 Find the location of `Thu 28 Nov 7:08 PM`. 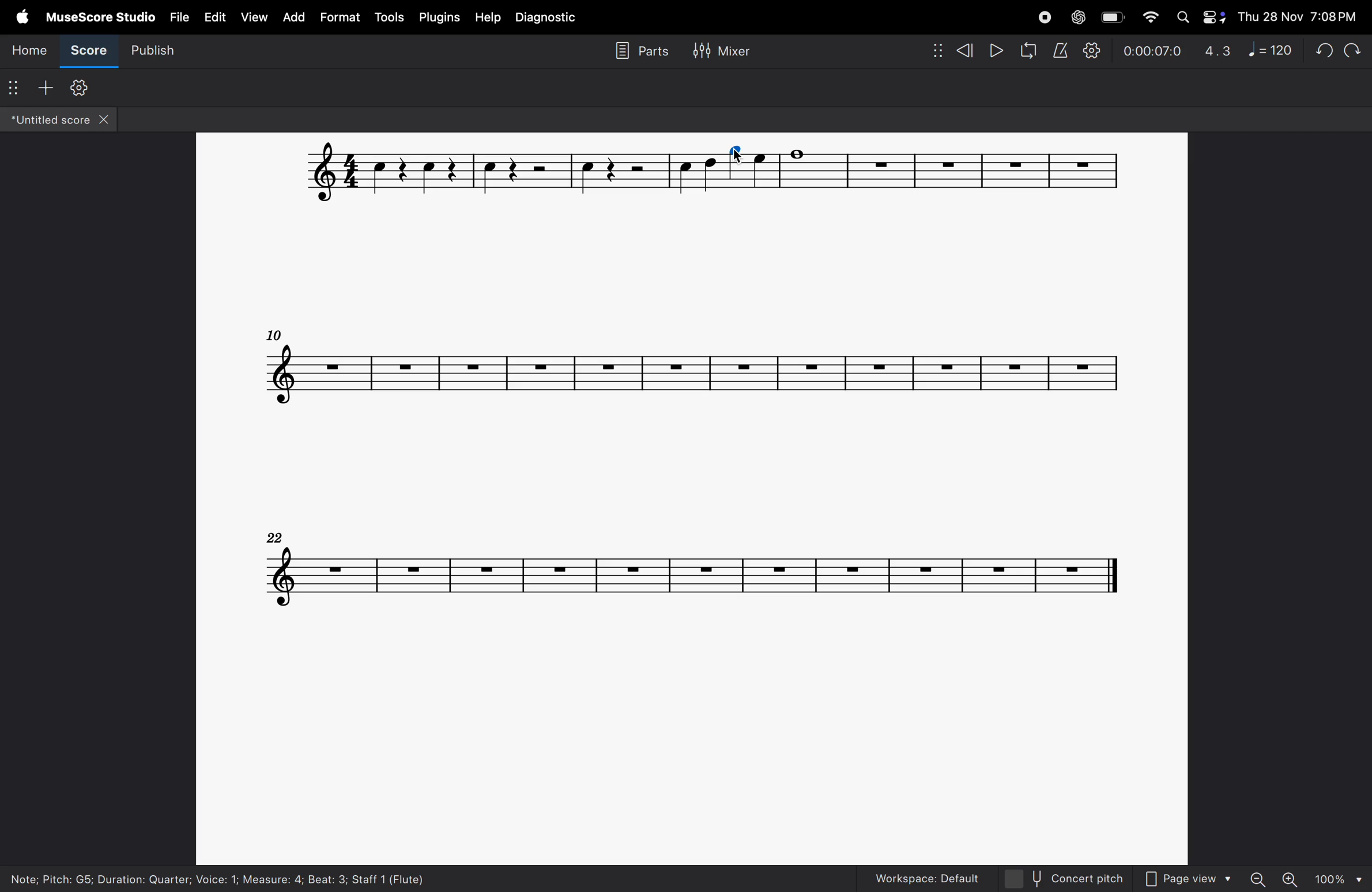

Thu 28 Nov 7:08 PM is located at coordinates (1299, 17).